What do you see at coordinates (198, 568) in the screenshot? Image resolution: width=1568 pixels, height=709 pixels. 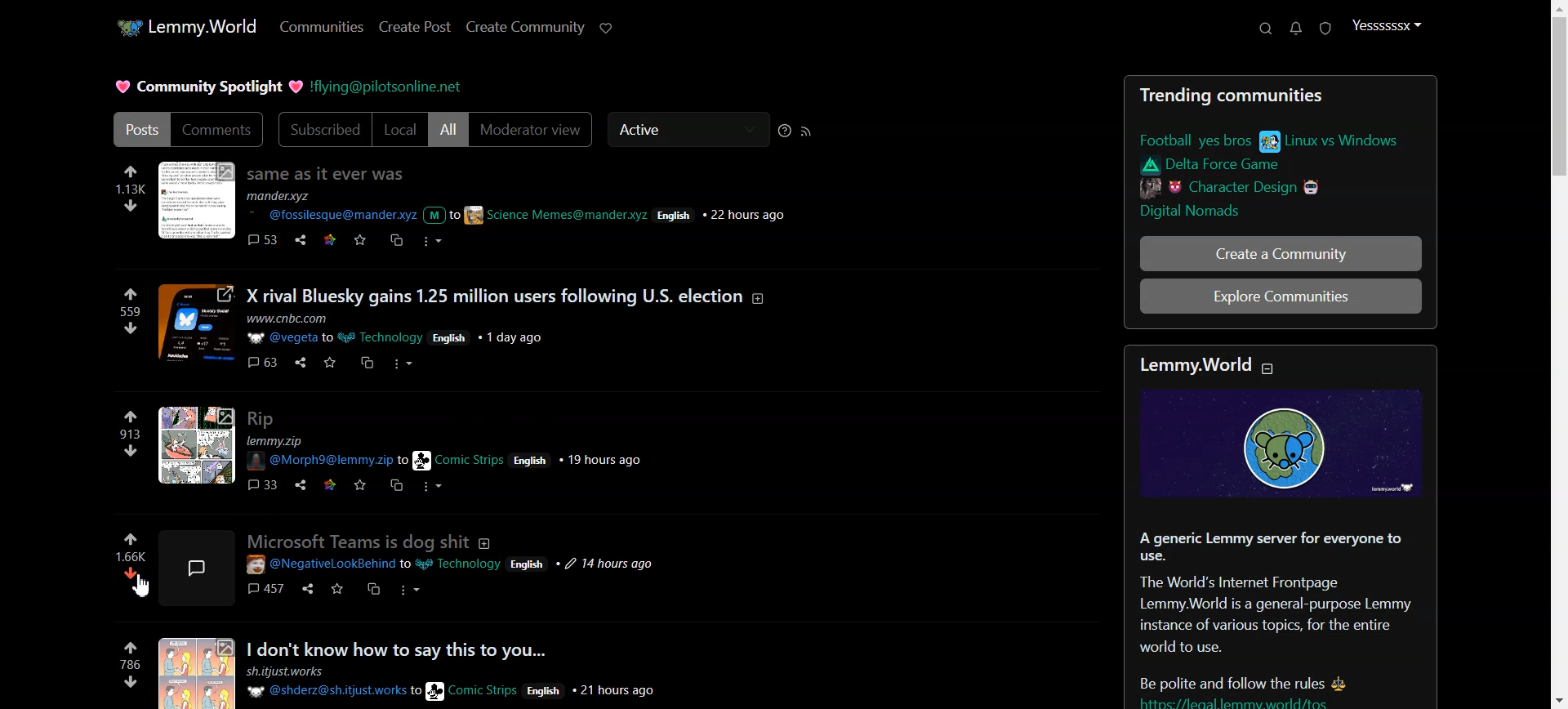 I see `Profile` at bounding box center [198, 568].